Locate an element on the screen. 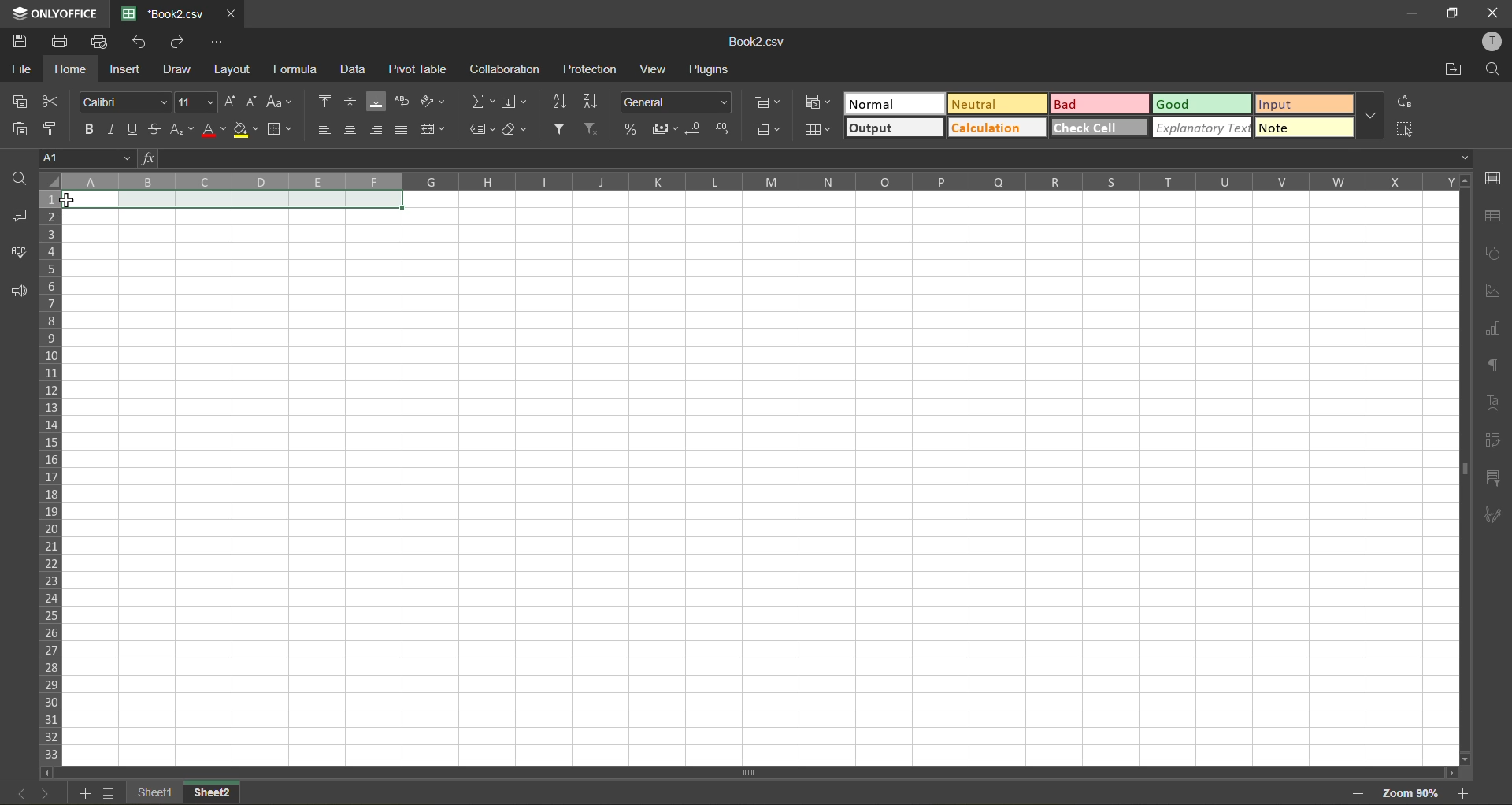  replace is located at coordinates (1406, 102).